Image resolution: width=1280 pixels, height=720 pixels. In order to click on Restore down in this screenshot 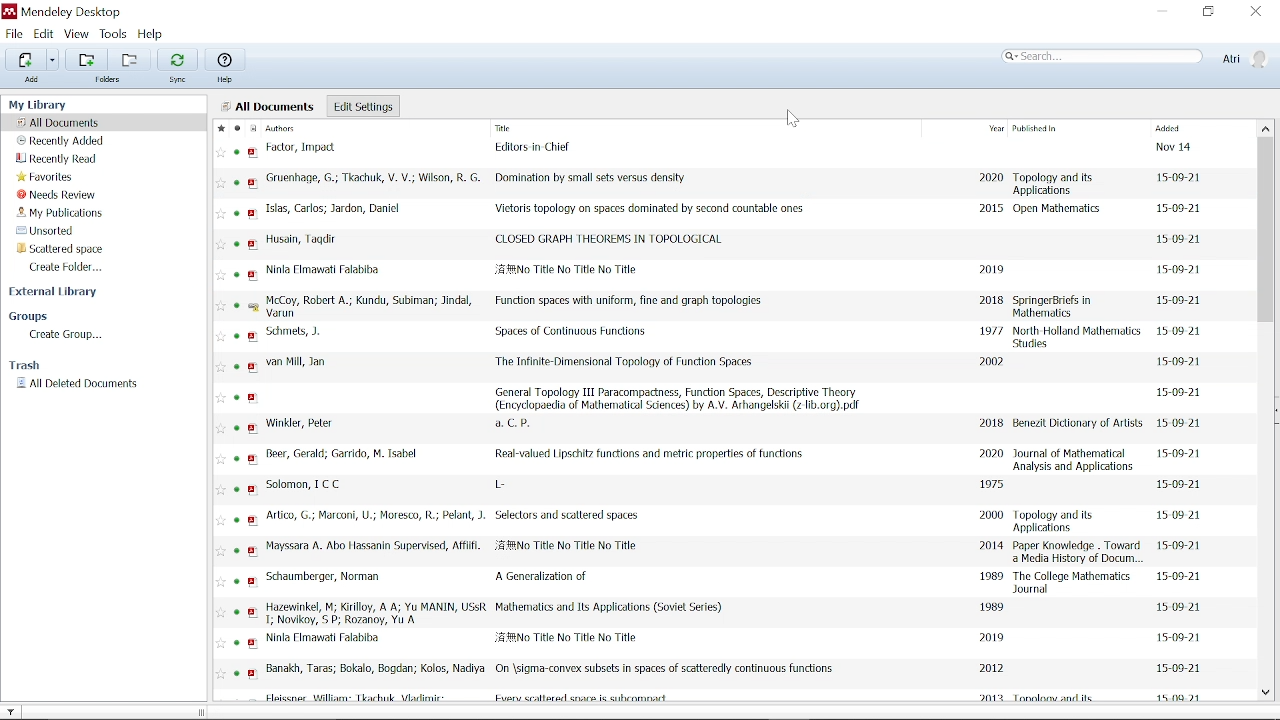, I will do `click(1209, 12)`.